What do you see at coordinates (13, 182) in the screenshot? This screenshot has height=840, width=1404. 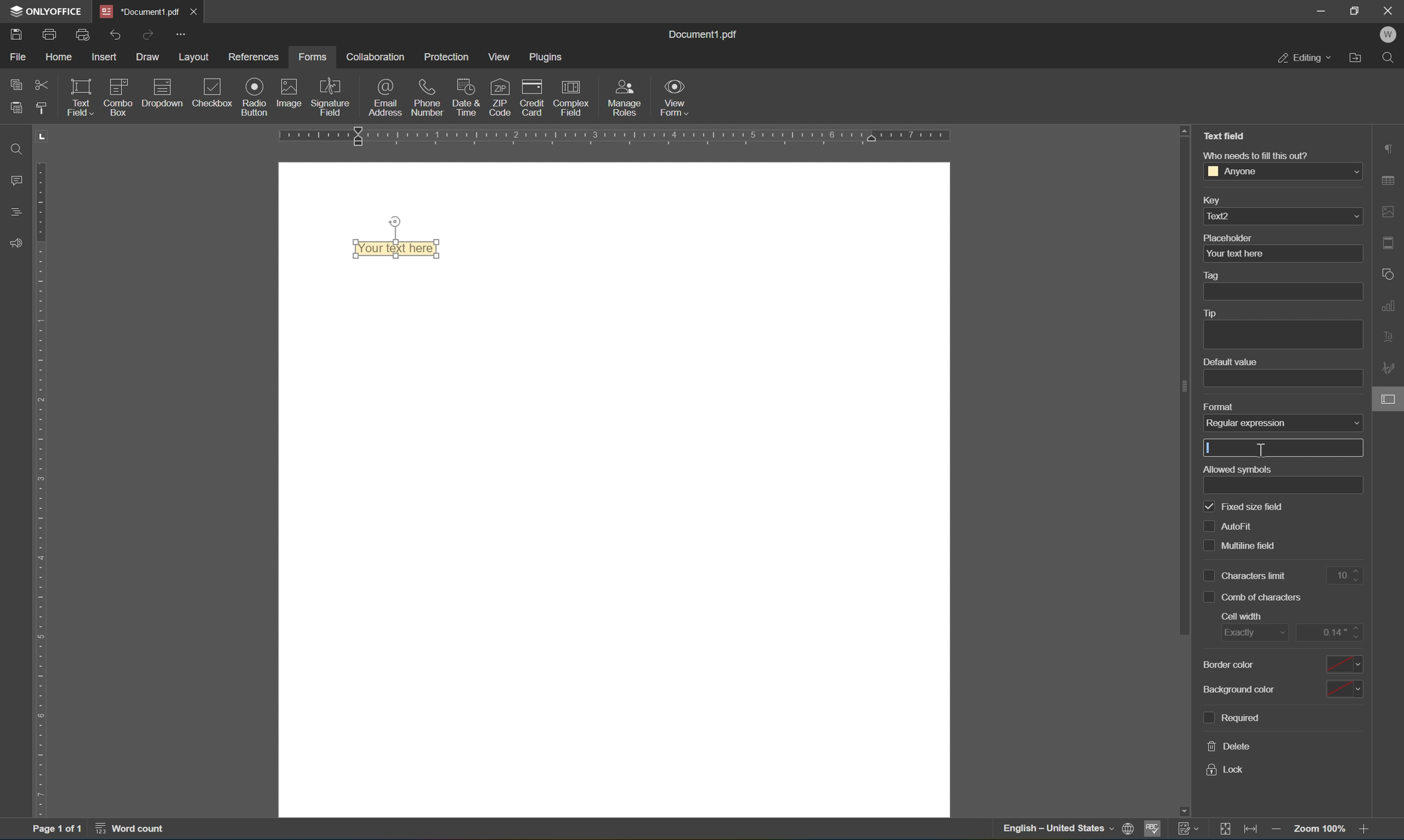 I see `comments` at bounding box center [13, 182].